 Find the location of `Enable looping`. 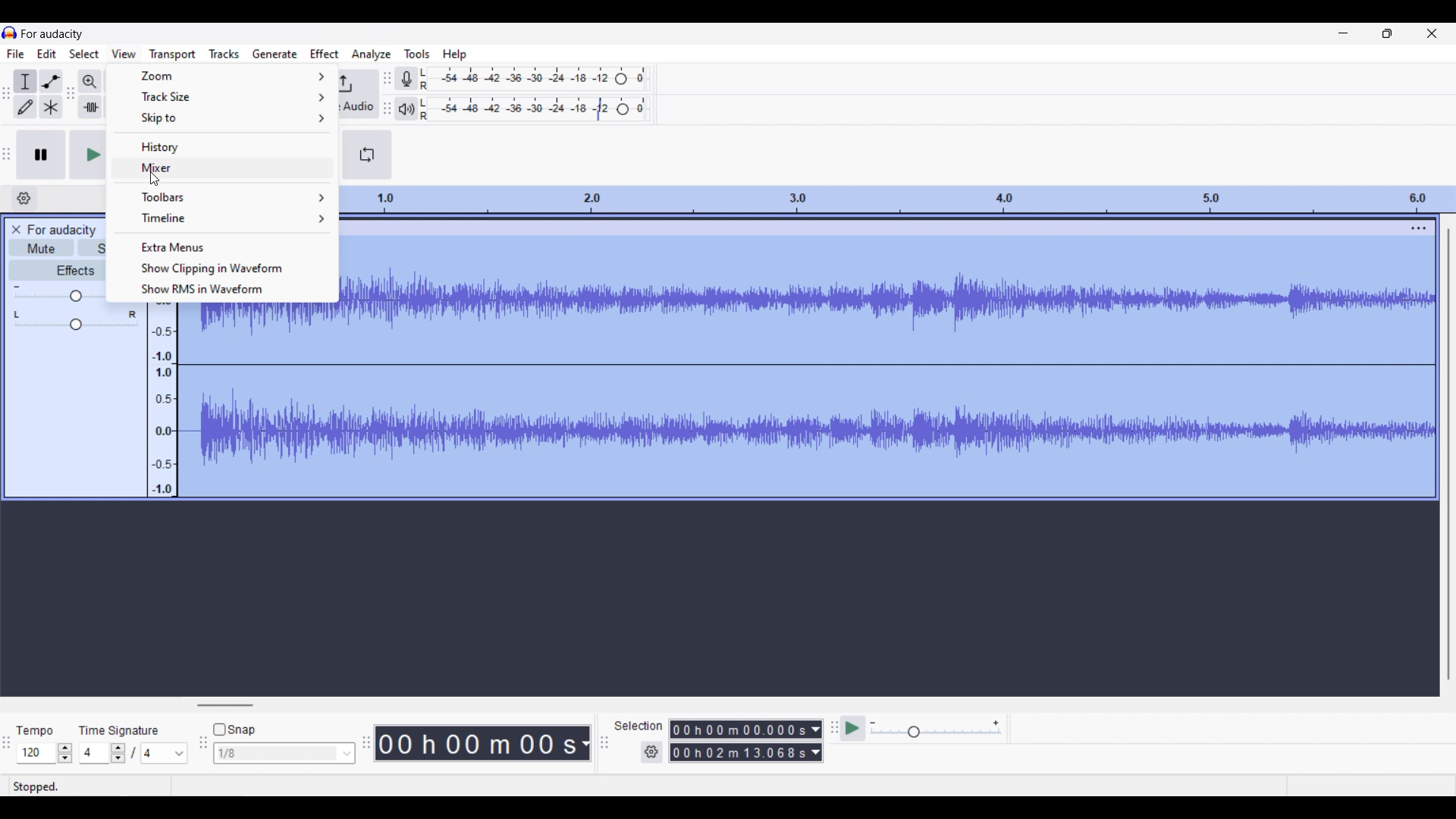

Enable looping is located at coordinates (367, 155).